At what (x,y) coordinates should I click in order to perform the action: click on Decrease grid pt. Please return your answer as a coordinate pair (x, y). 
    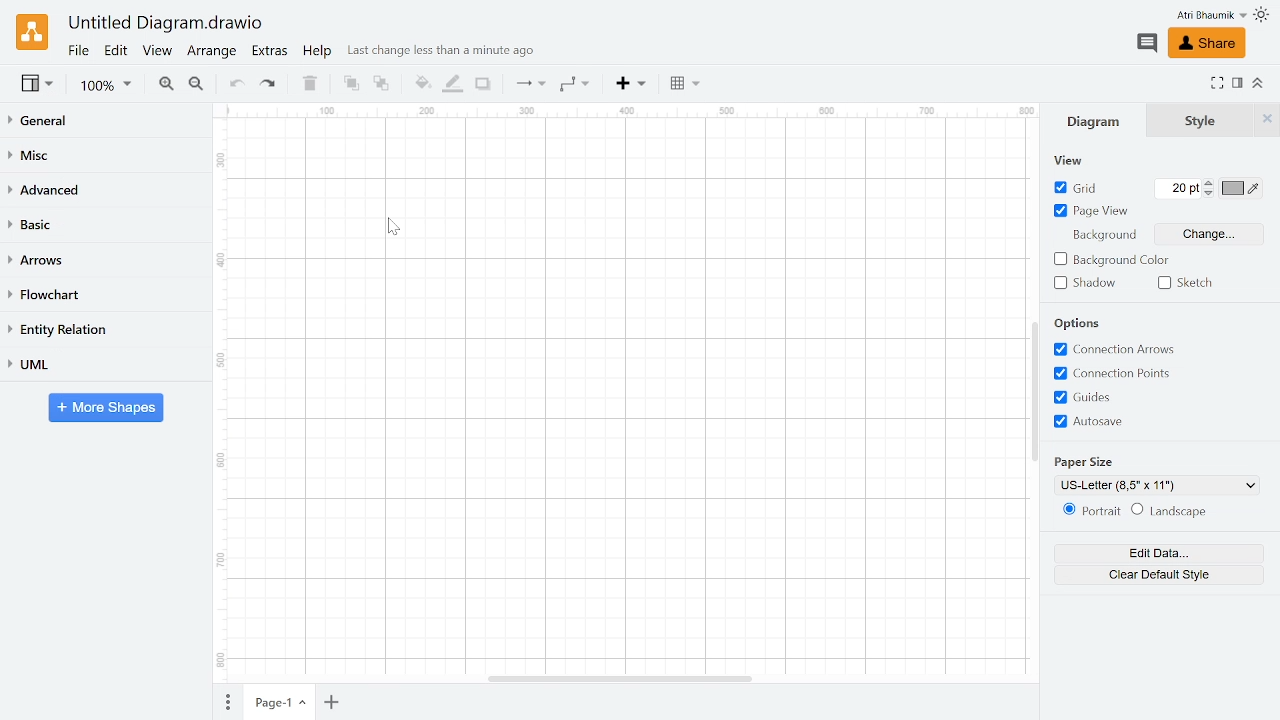
    Looking at the image, I should click on (1210, 195).